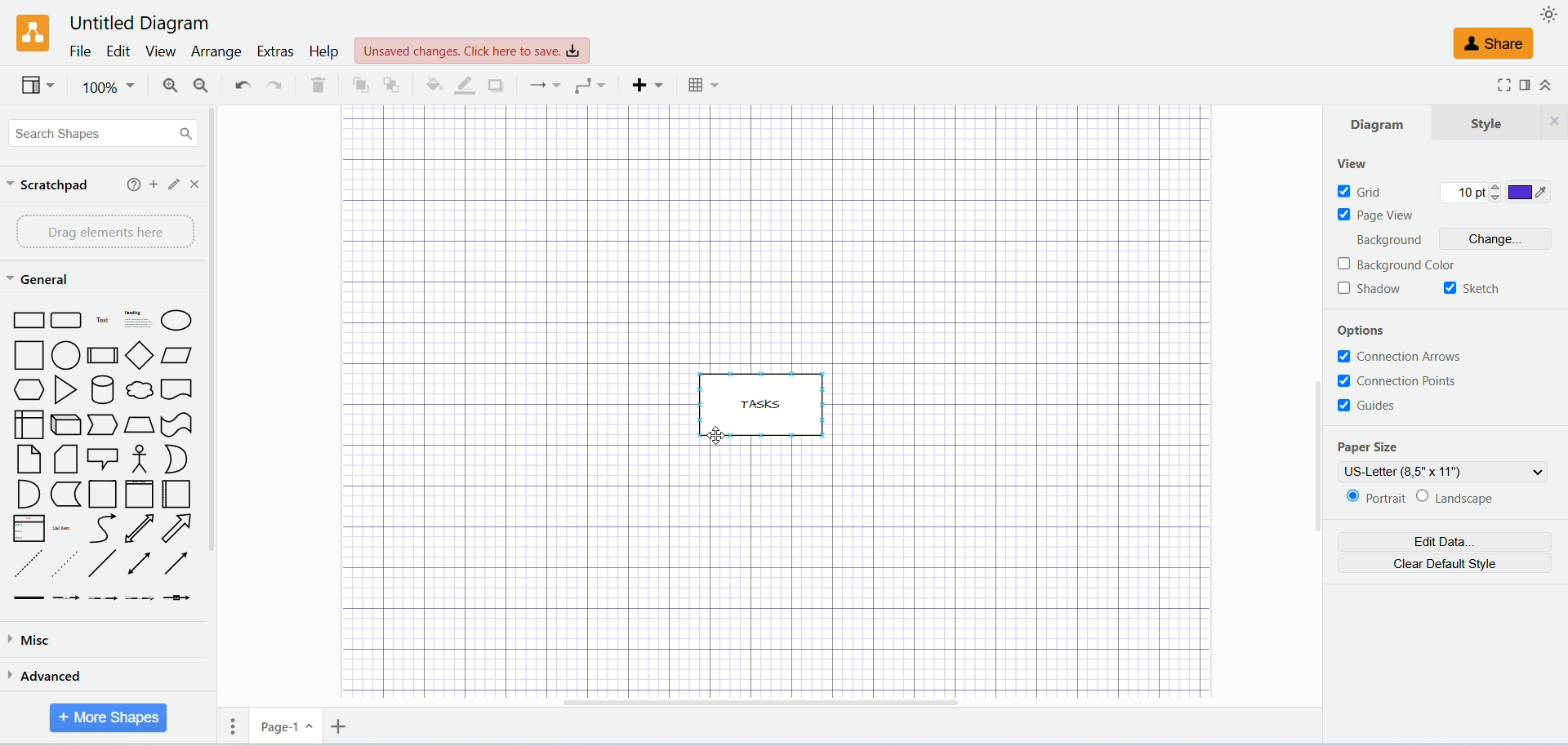  I want to click on extras, so click(274, 51).